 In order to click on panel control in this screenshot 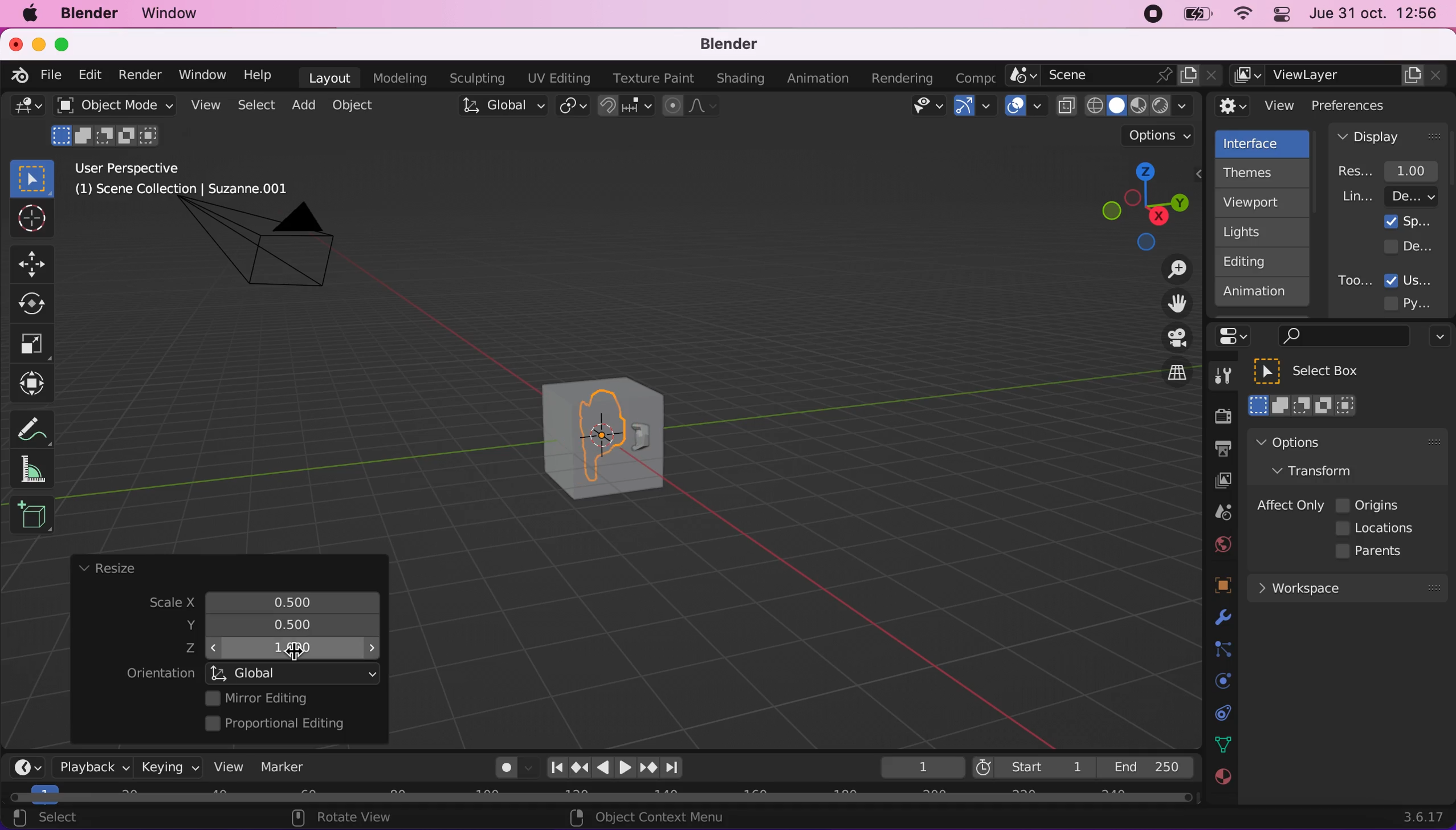, I will do `click(1279, 16)`.